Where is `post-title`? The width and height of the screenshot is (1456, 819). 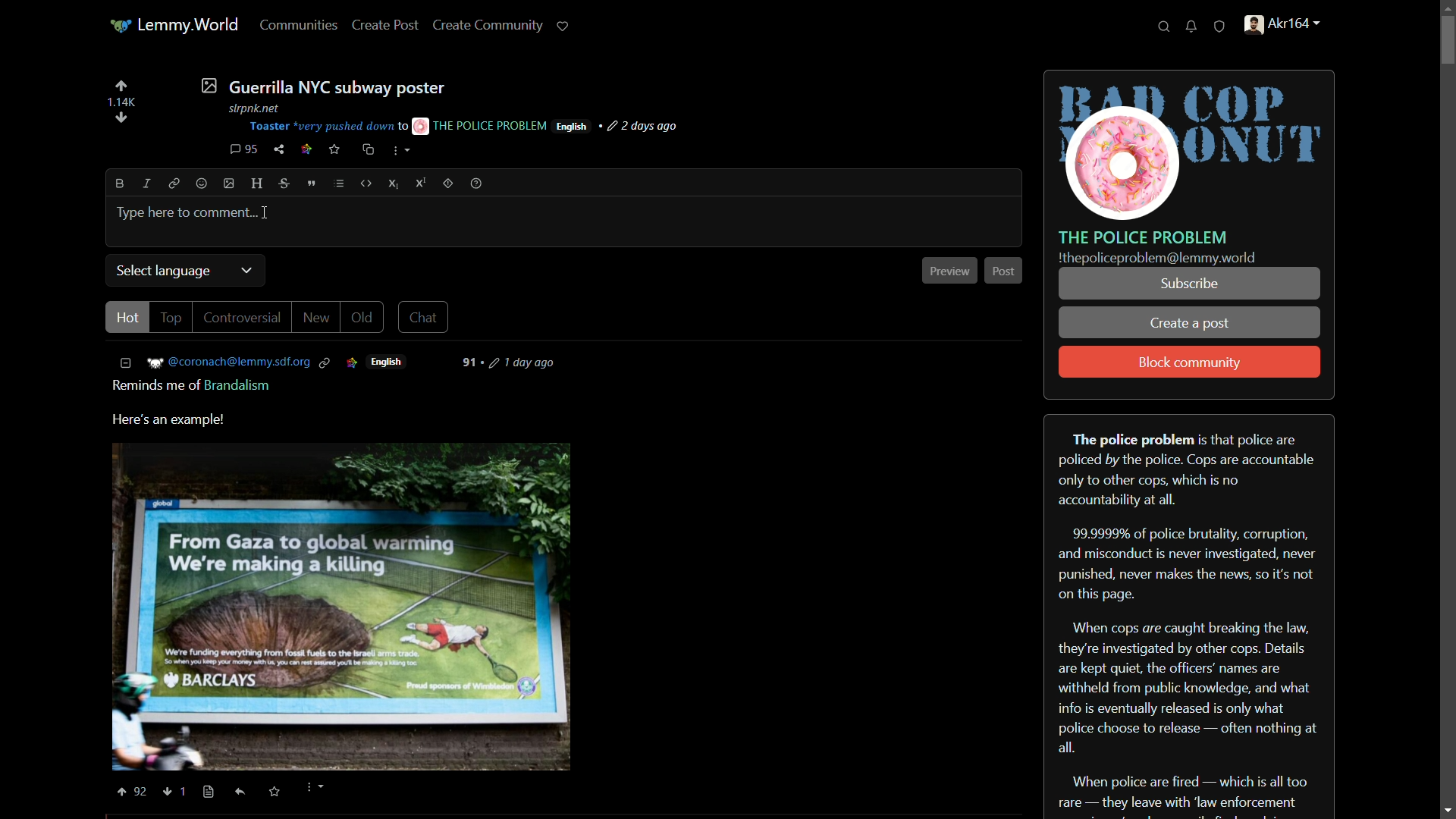 post-title is located at coordinates (322, 86).